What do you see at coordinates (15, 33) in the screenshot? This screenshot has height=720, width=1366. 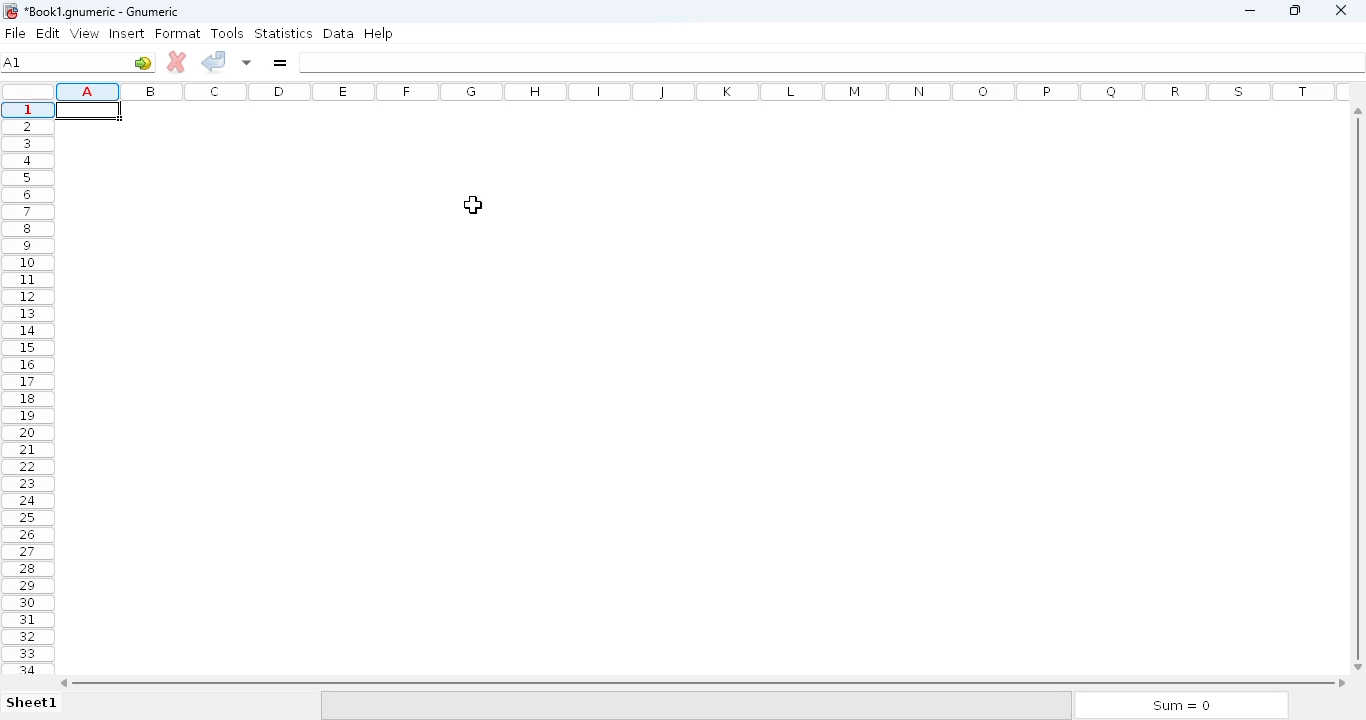 I see `file` at bounding box center [15, 33].